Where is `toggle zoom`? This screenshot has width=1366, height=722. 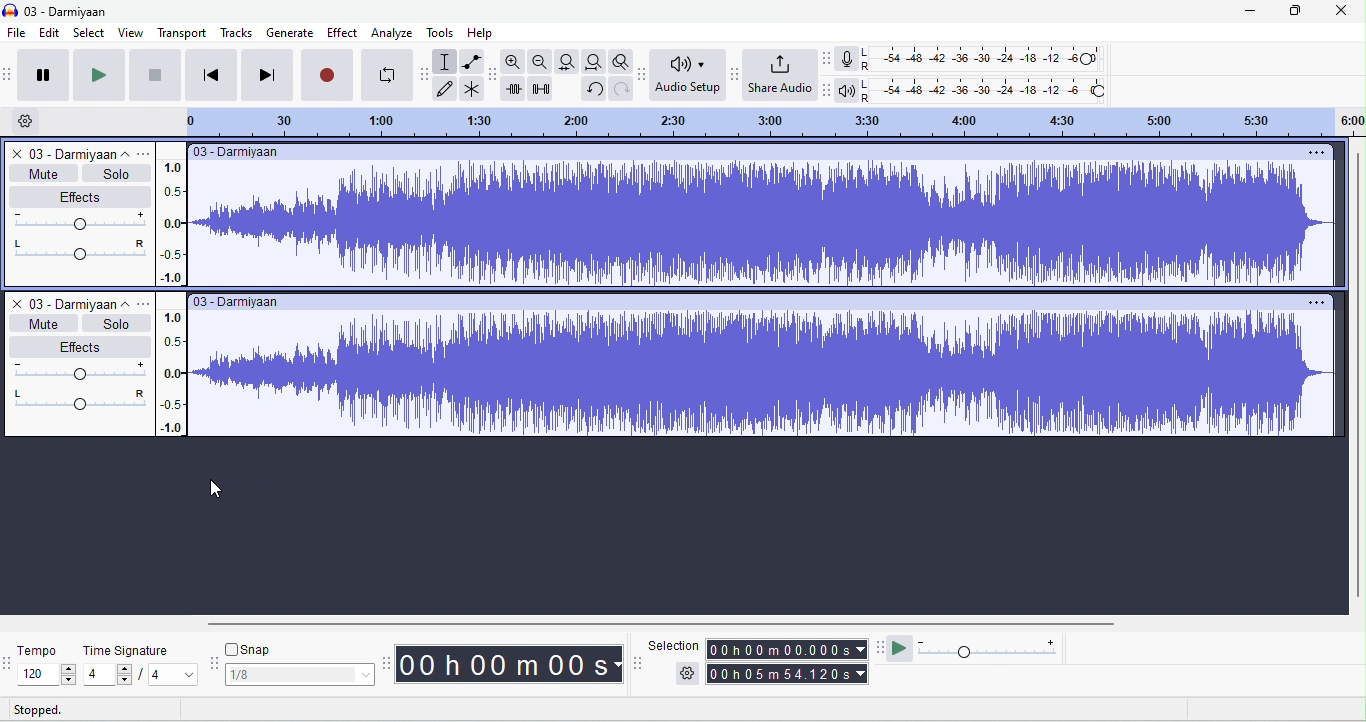 toggle zoom is located at coordinates (622, 62).